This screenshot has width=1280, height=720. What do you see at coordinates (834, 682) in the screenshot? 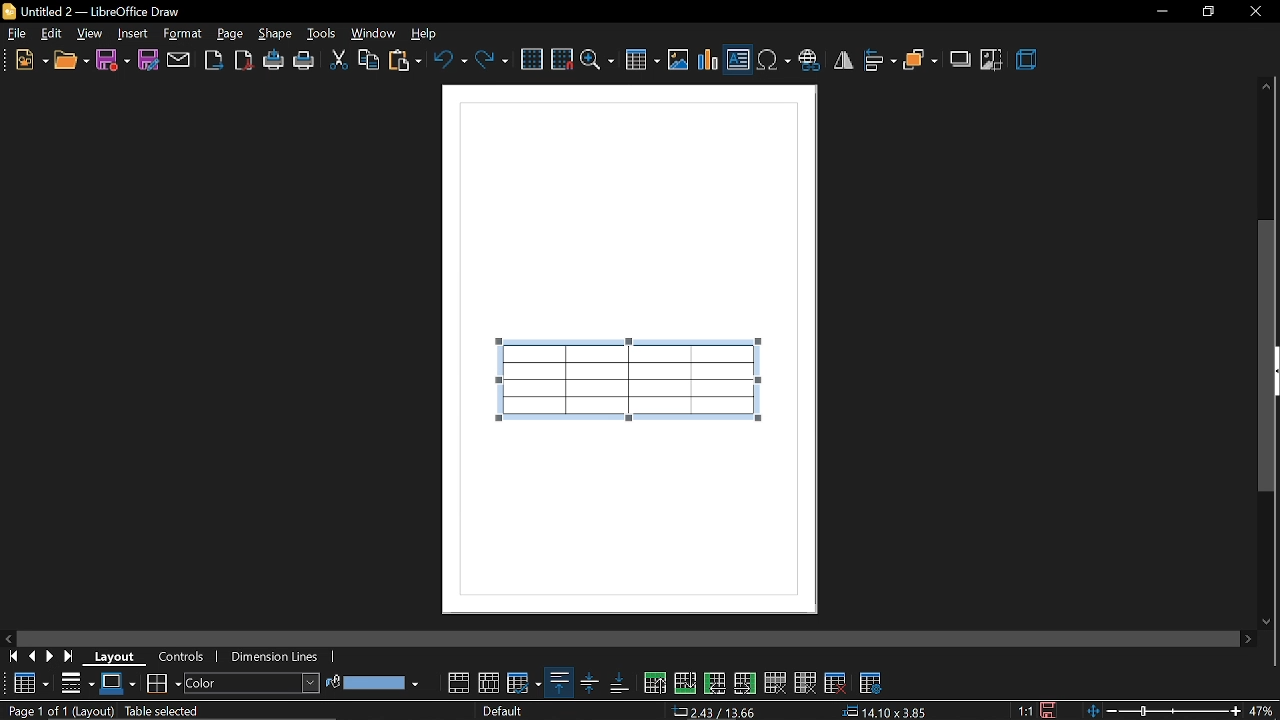
I see `delete table` at bounding box center [834, 682].